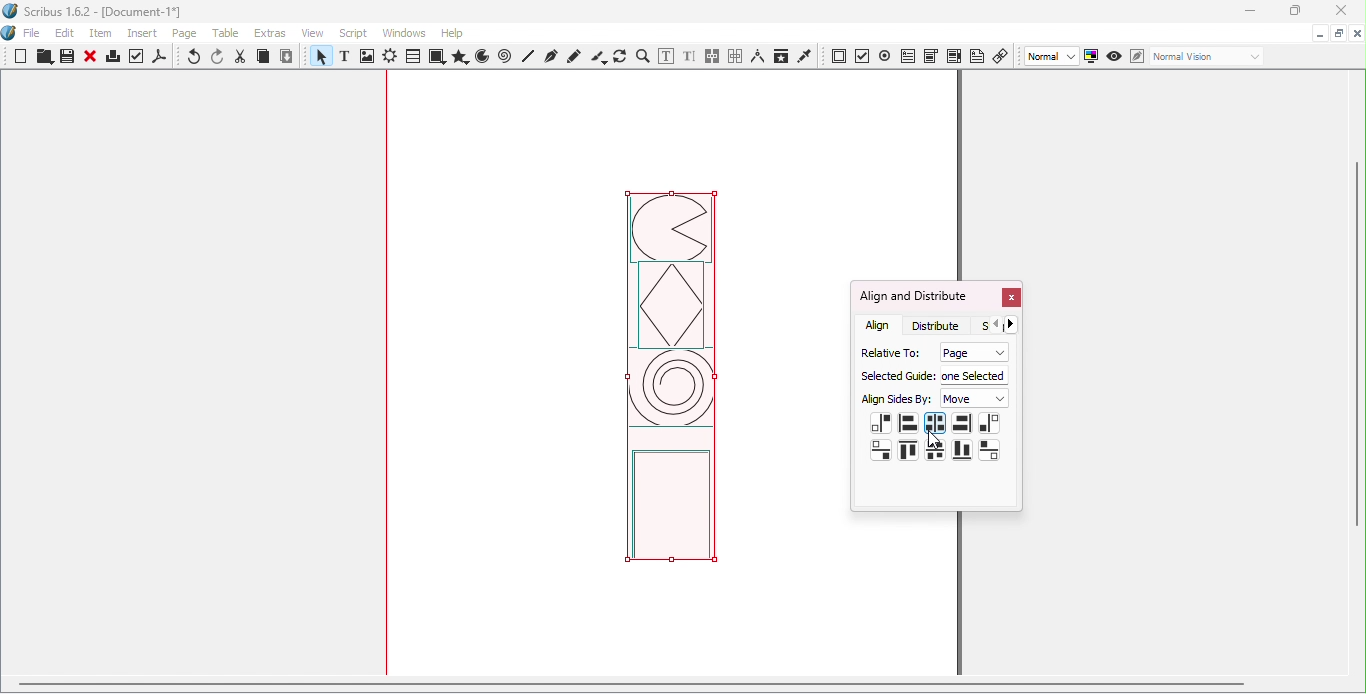  I want to click on Distribute, so click(941, 325).